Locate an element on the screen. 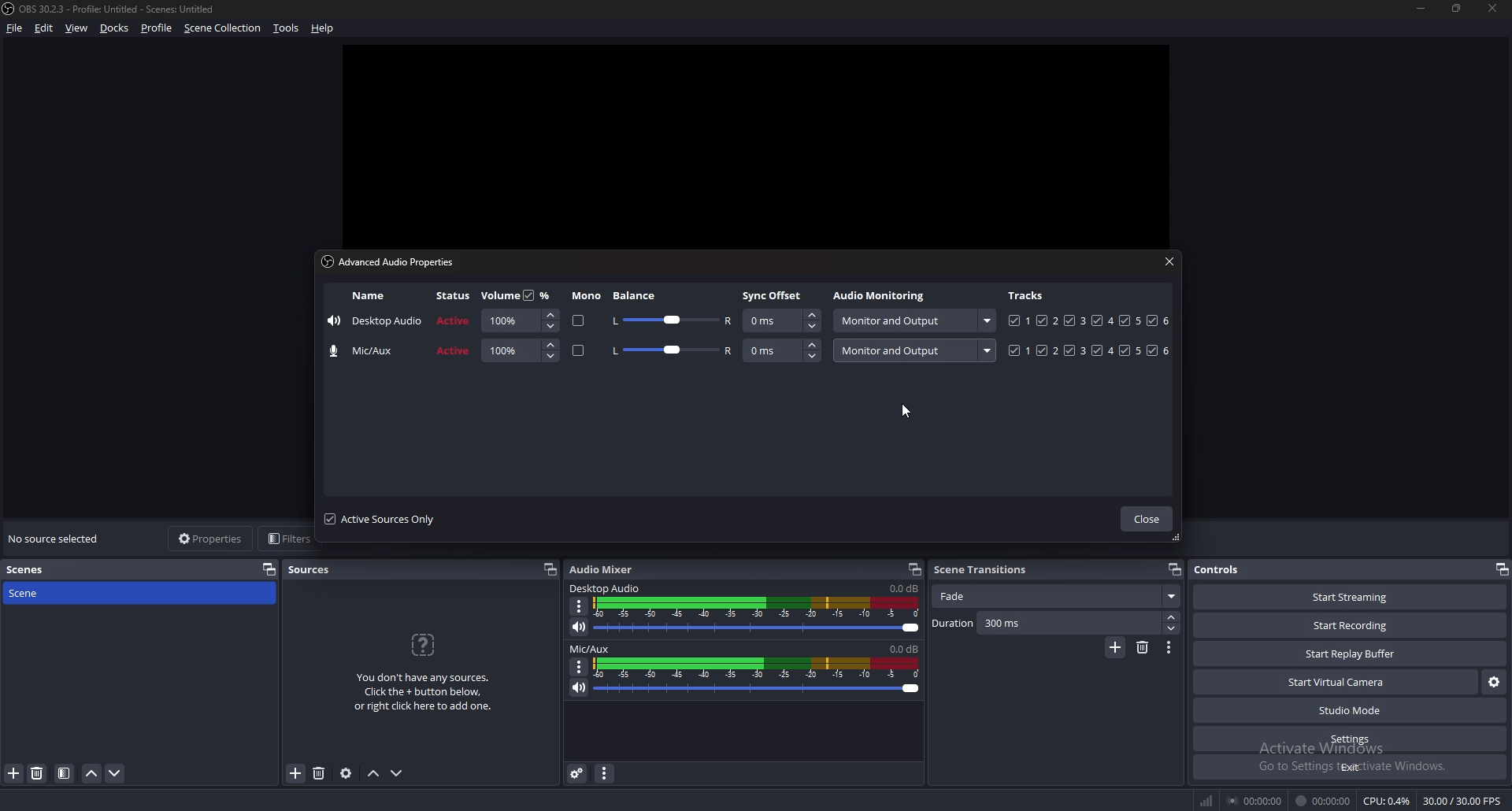  00:00:00 is located at coordinates (1255, 802).